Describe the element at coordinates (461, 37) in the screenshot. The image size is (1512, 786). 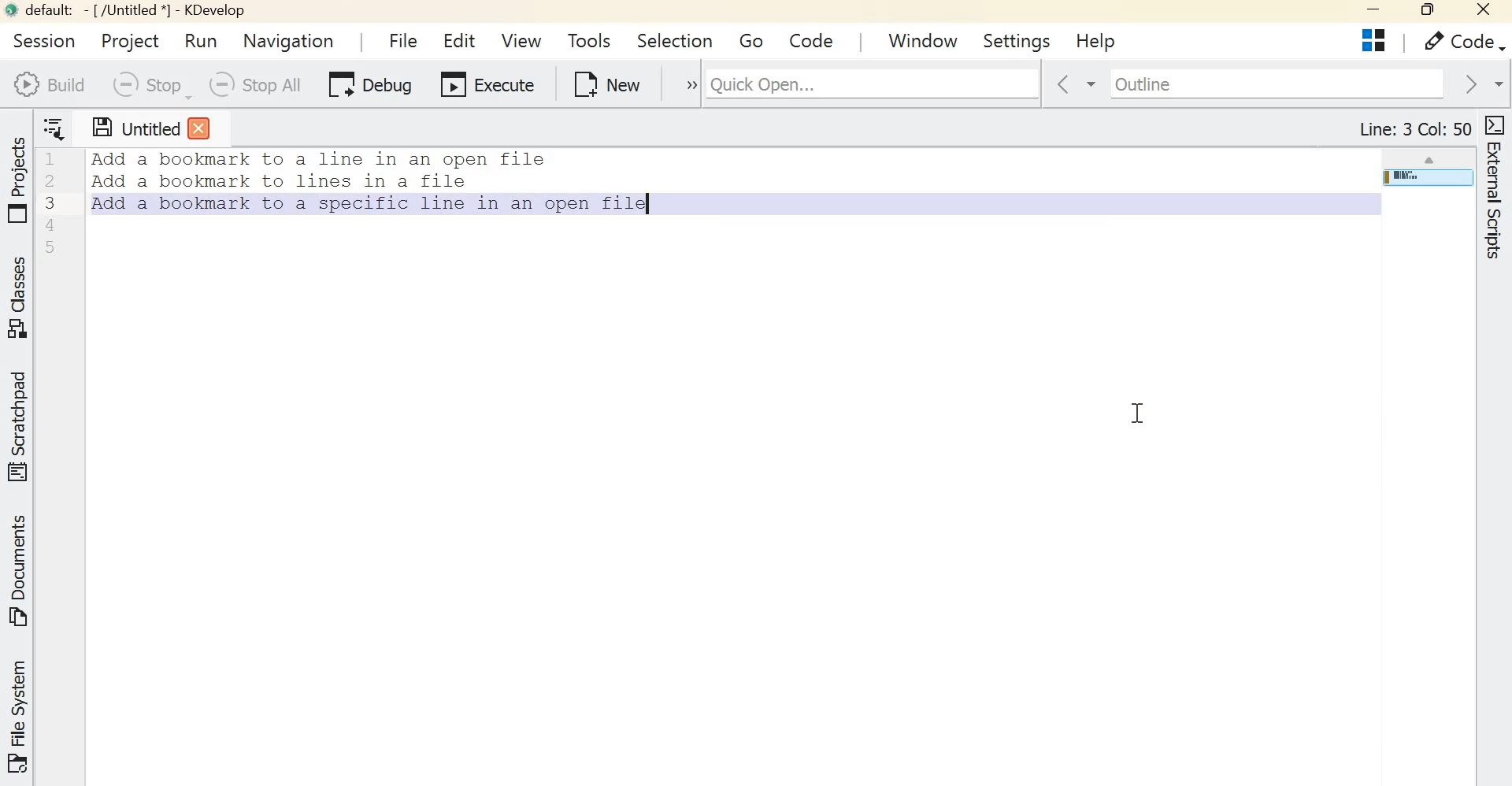
I see `Edit` at that location.